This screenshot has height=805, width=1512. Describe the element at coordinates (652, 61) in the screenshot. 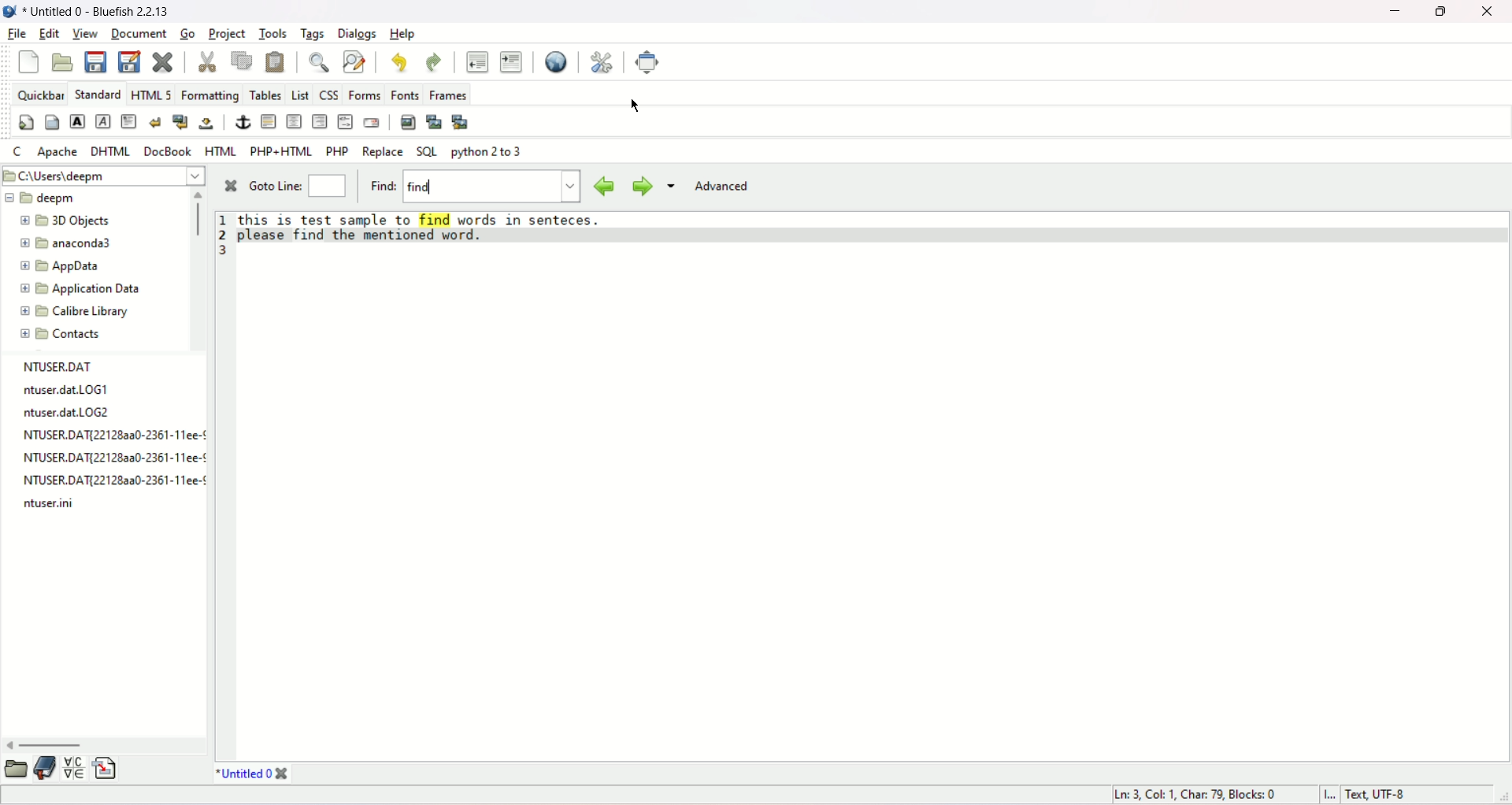

I see `fullscreen` at that location.